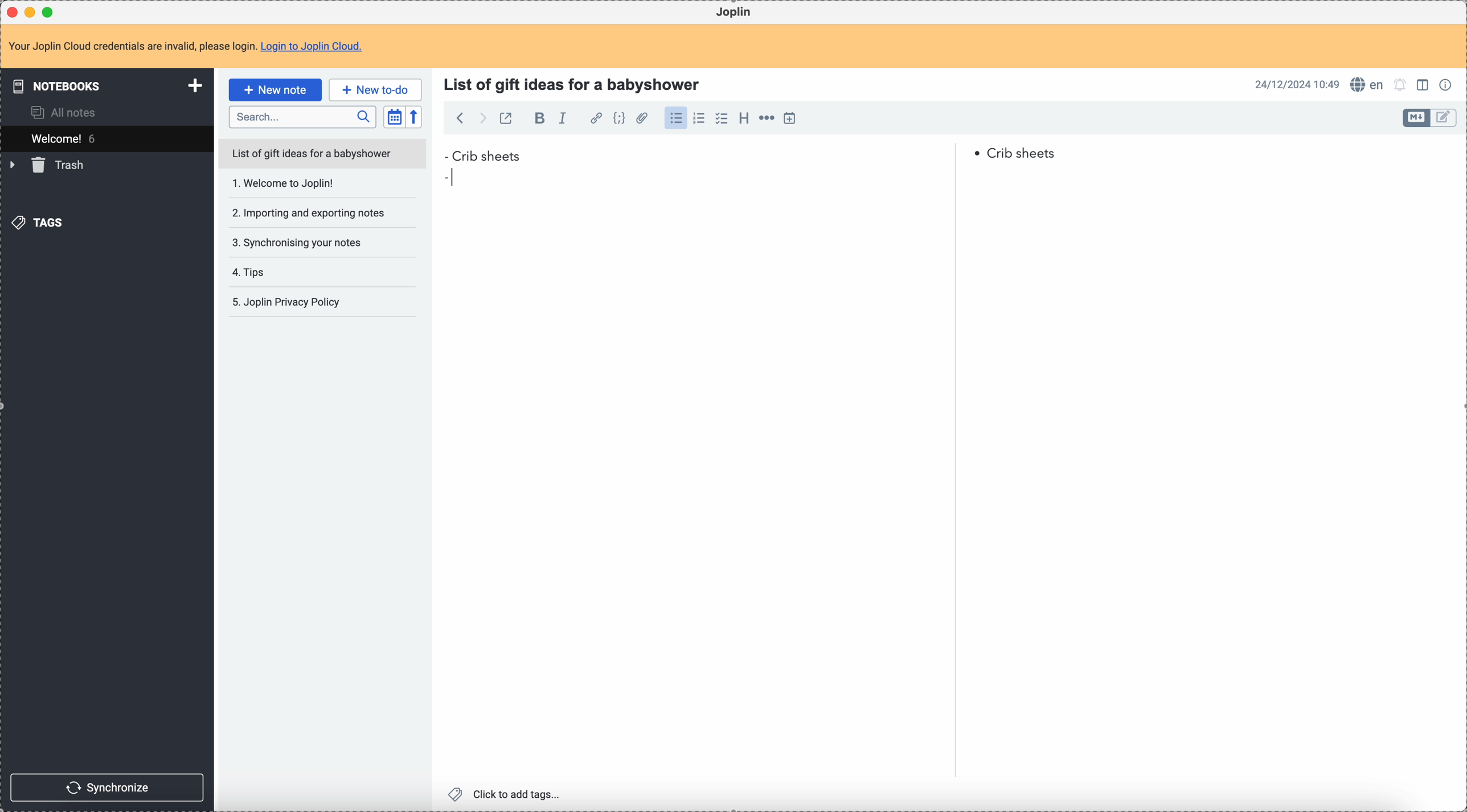 Image resolution: width=1467 pixels, height=812 pixels. What do you see at coordinates (1425, 87) in the screenshot?
I see `toggle edit layout` at bounding box center [1425, 87].